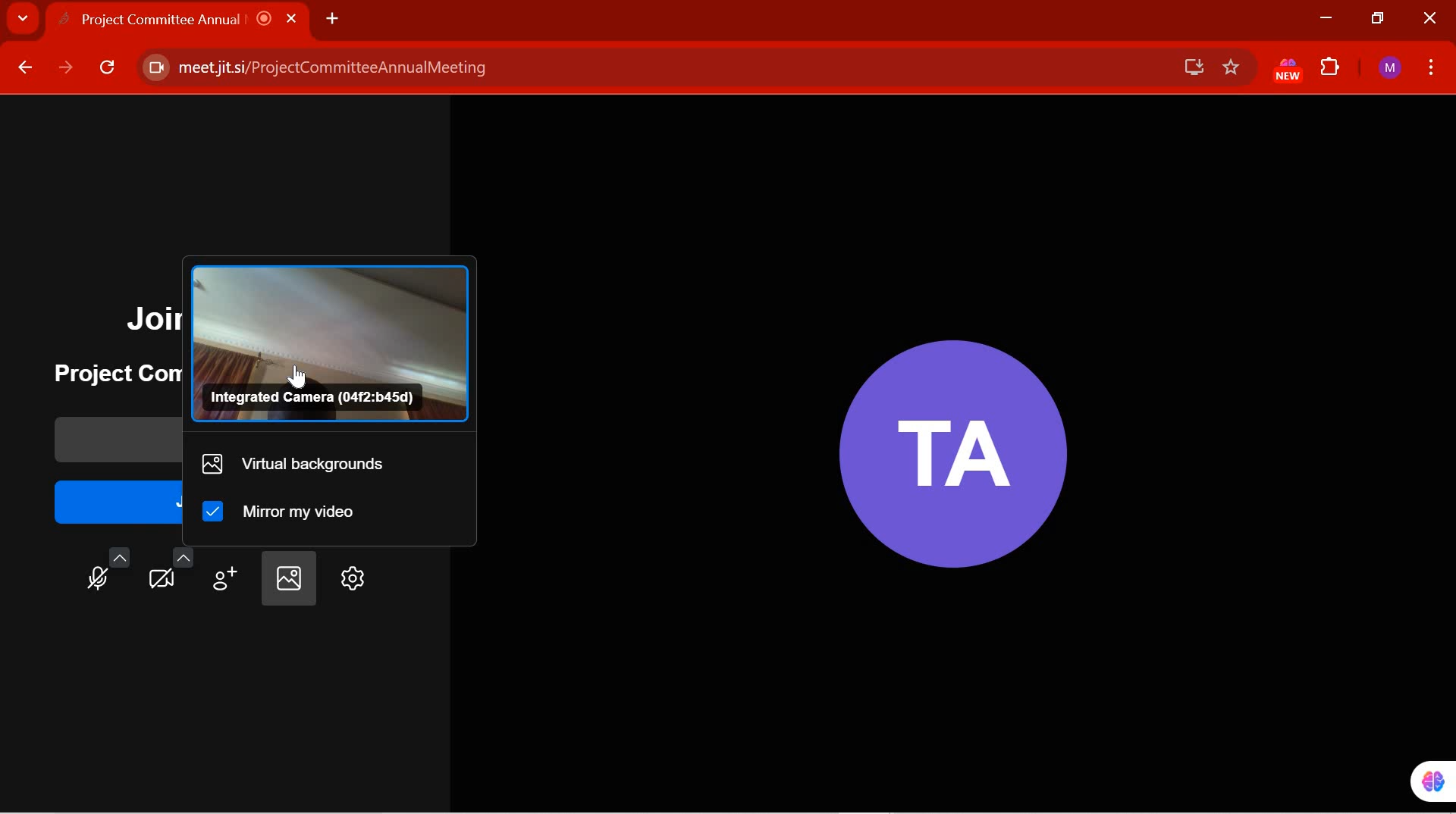  What do you see at coordinates (171, 568) in the screenshot?
I see `video settings` at bounding box center [171, 568].